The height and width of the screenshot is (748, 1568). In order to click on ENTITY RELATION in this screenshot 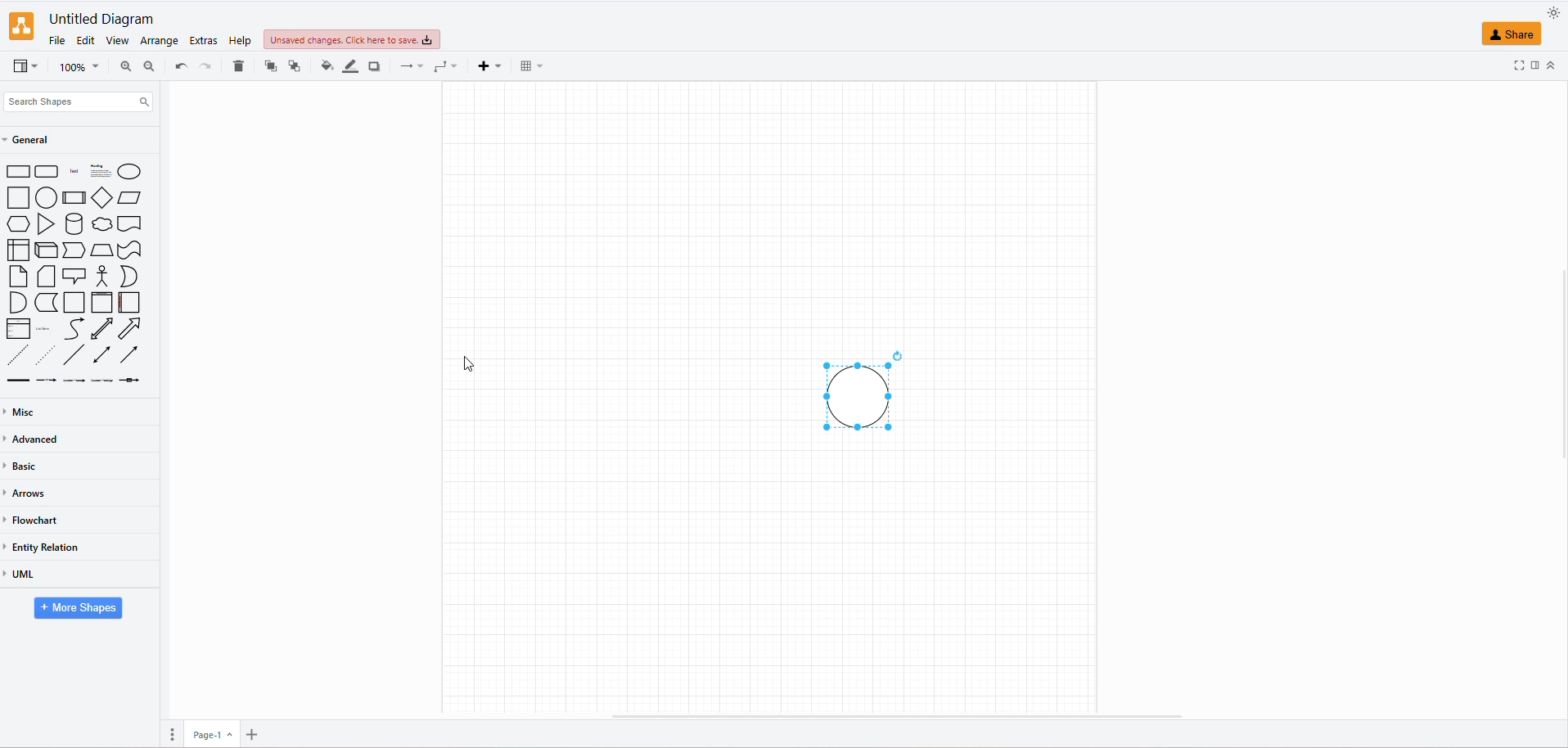, I will do `click(47, 547)`.